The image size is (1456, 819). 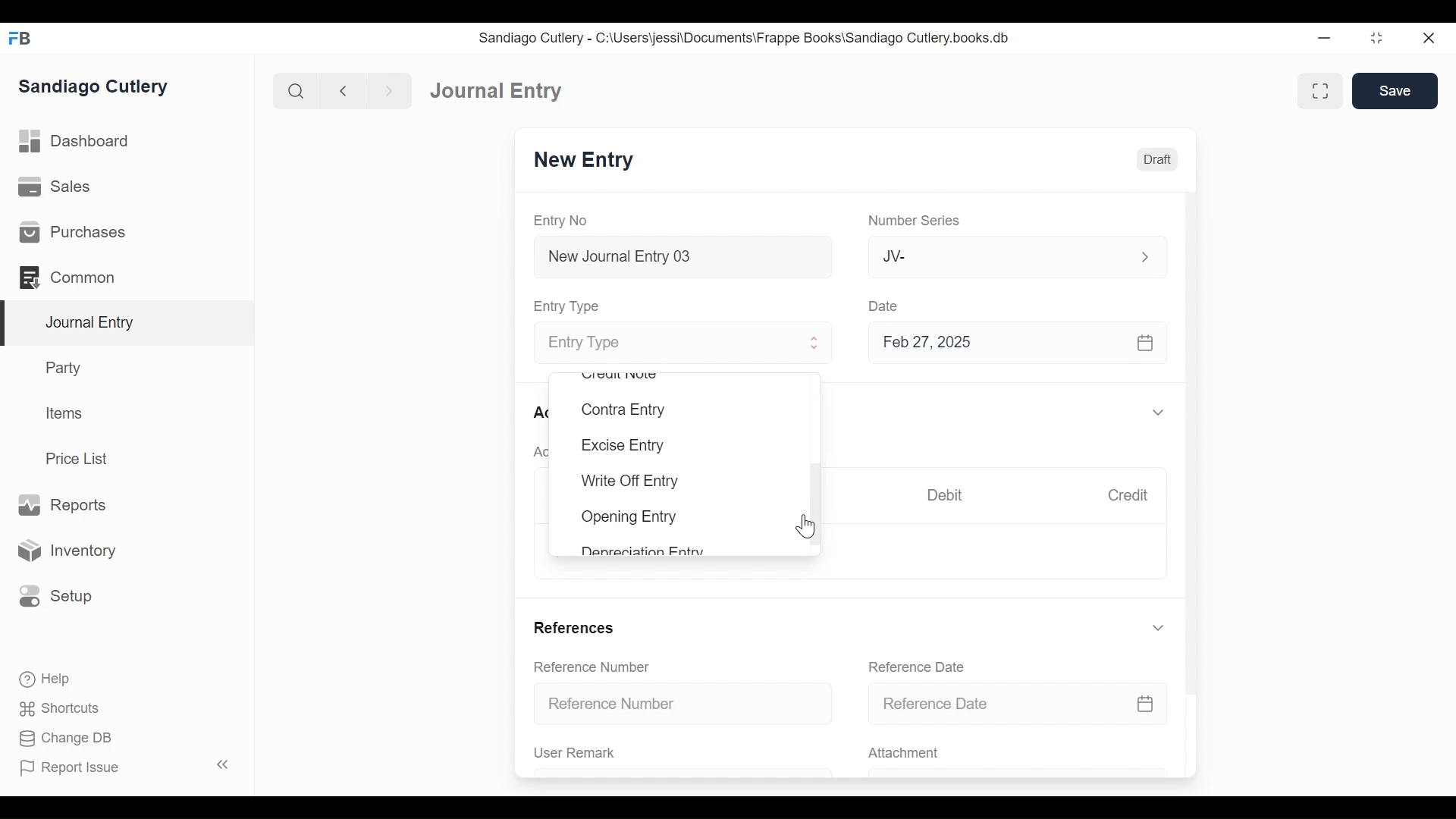 I want to click on Help, so click(x=46, y=679).